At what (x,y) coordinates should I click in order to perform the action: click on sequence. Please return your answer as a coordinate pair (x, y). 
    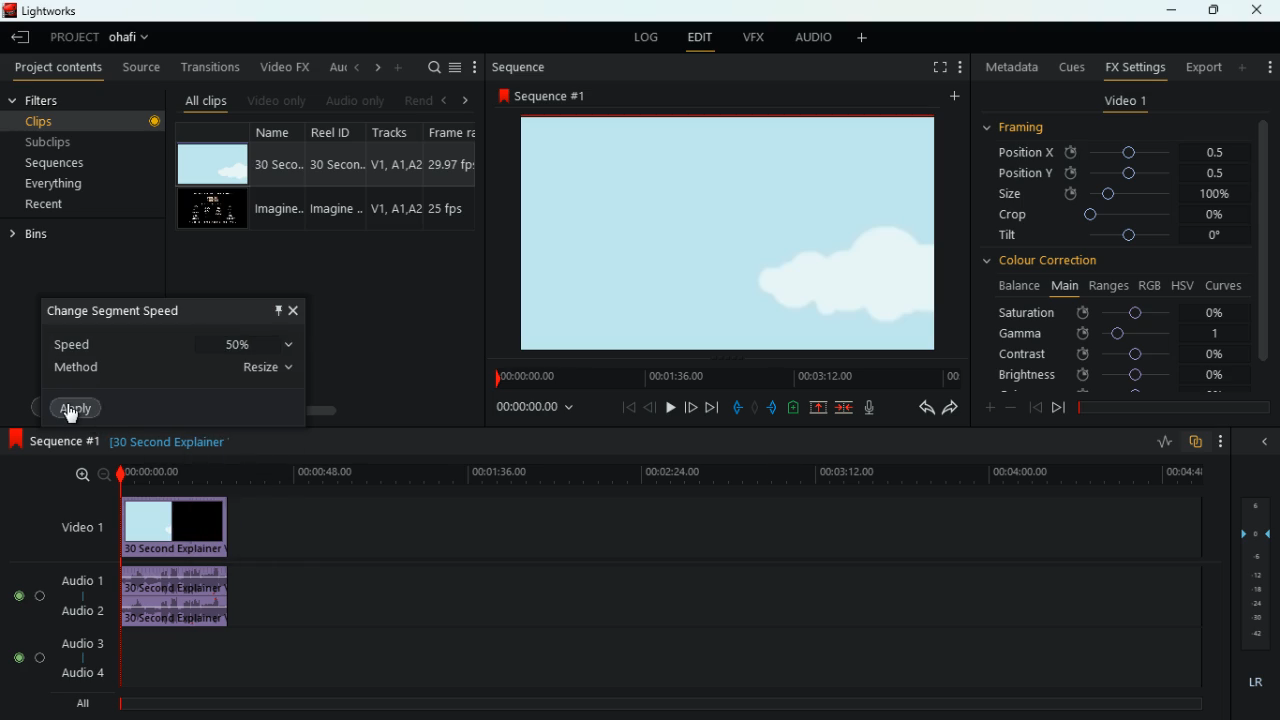
    Looking at the image, I should click on (51, 439).